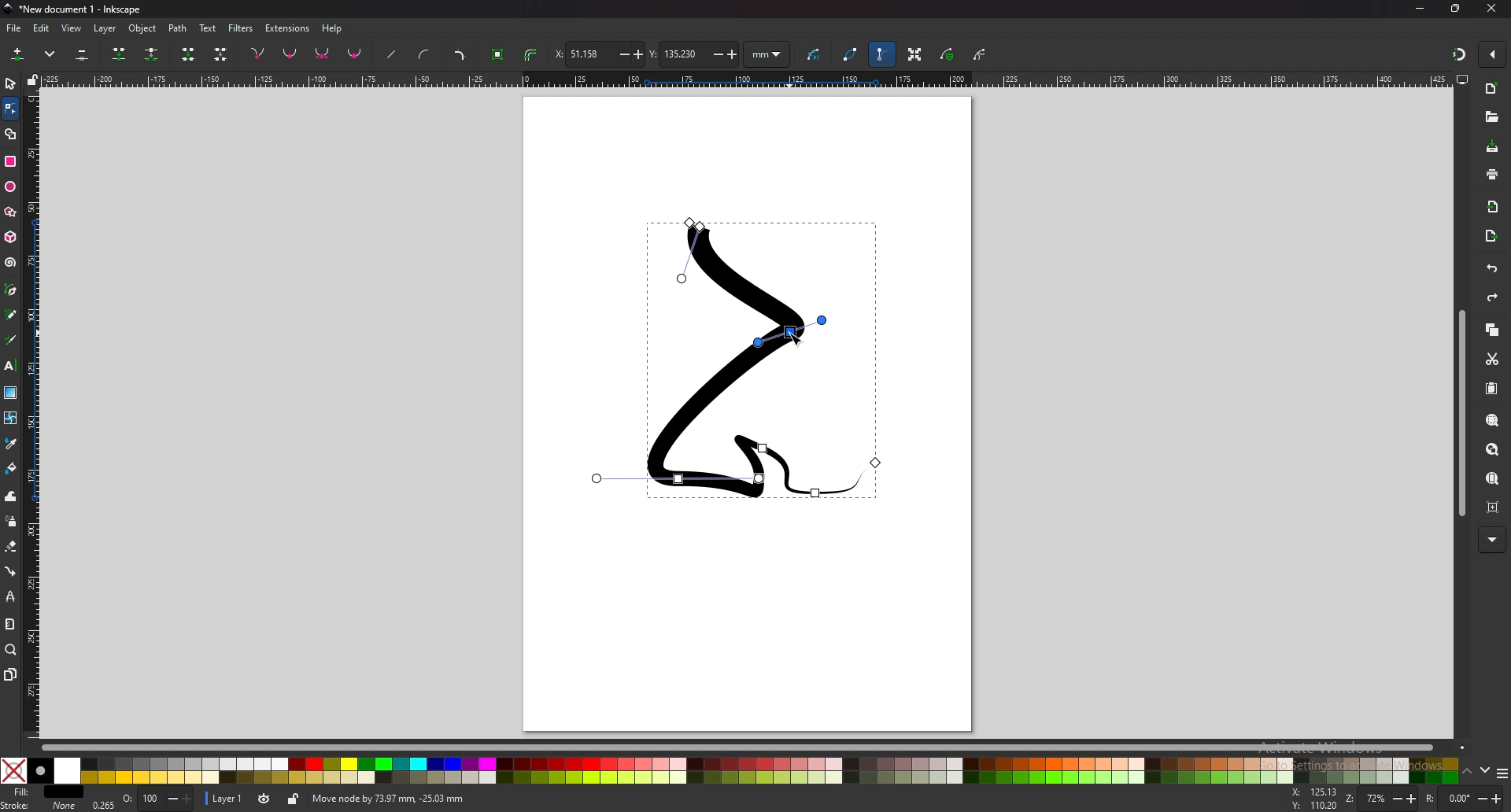 This screenshot has height=812, width=1511. Describe the element at coordinates (1462, 80) in the screenshot. I see `display view` at that location.